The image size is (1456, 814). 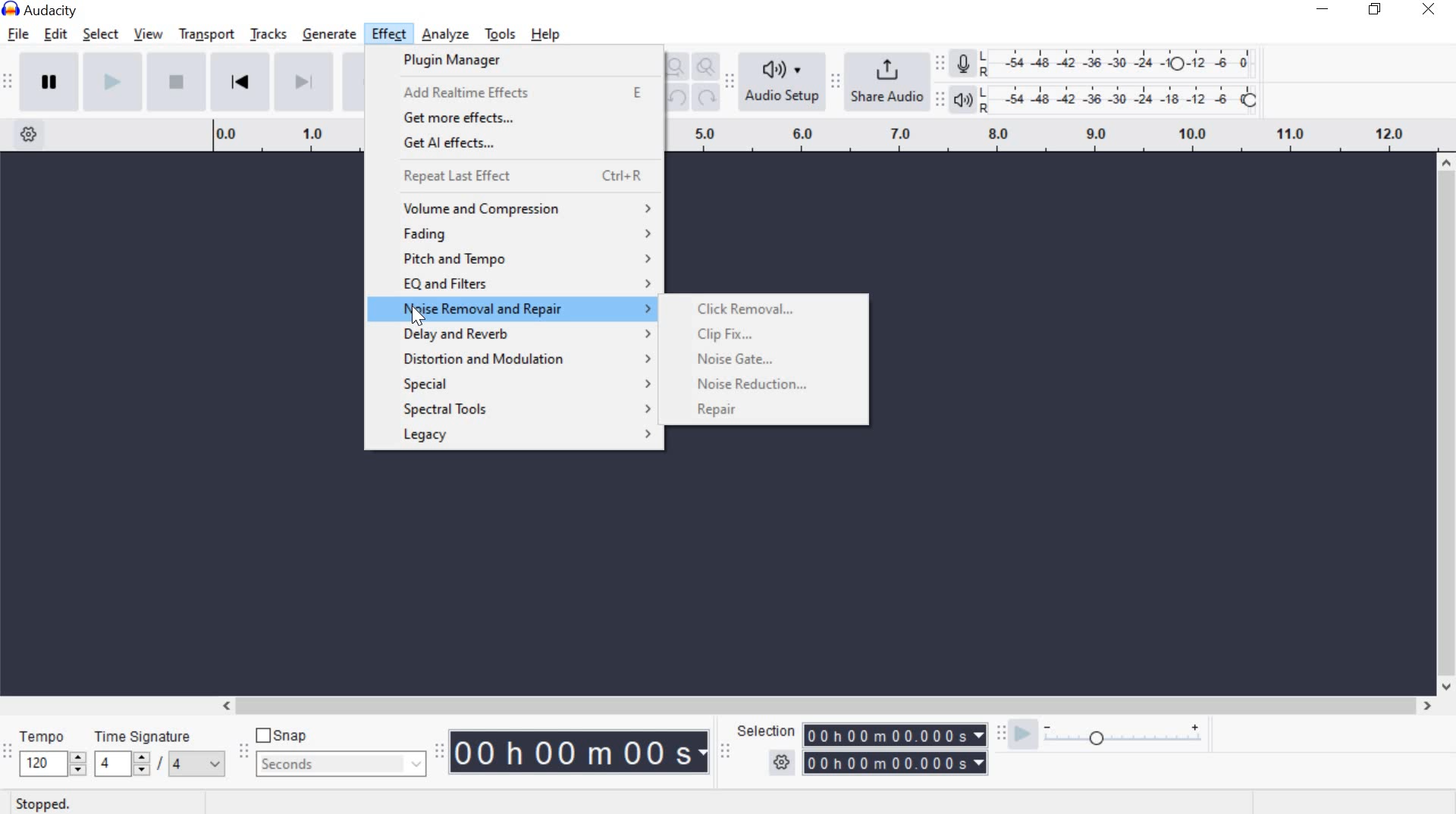 What do you see at coordinates (1025, 737) in the screenshot?
I see `playback speed` at bounding box center [1025, 737].